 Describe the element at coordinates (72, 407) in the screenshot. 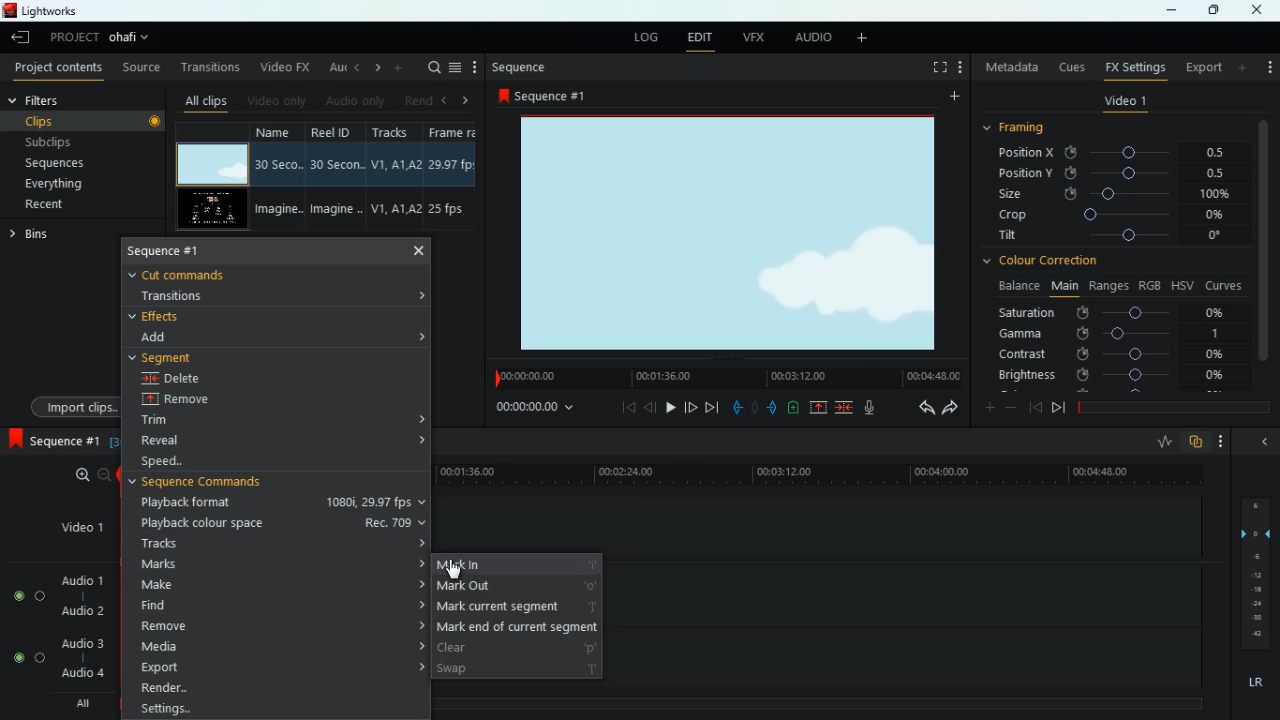

I see `import clips` at that location.